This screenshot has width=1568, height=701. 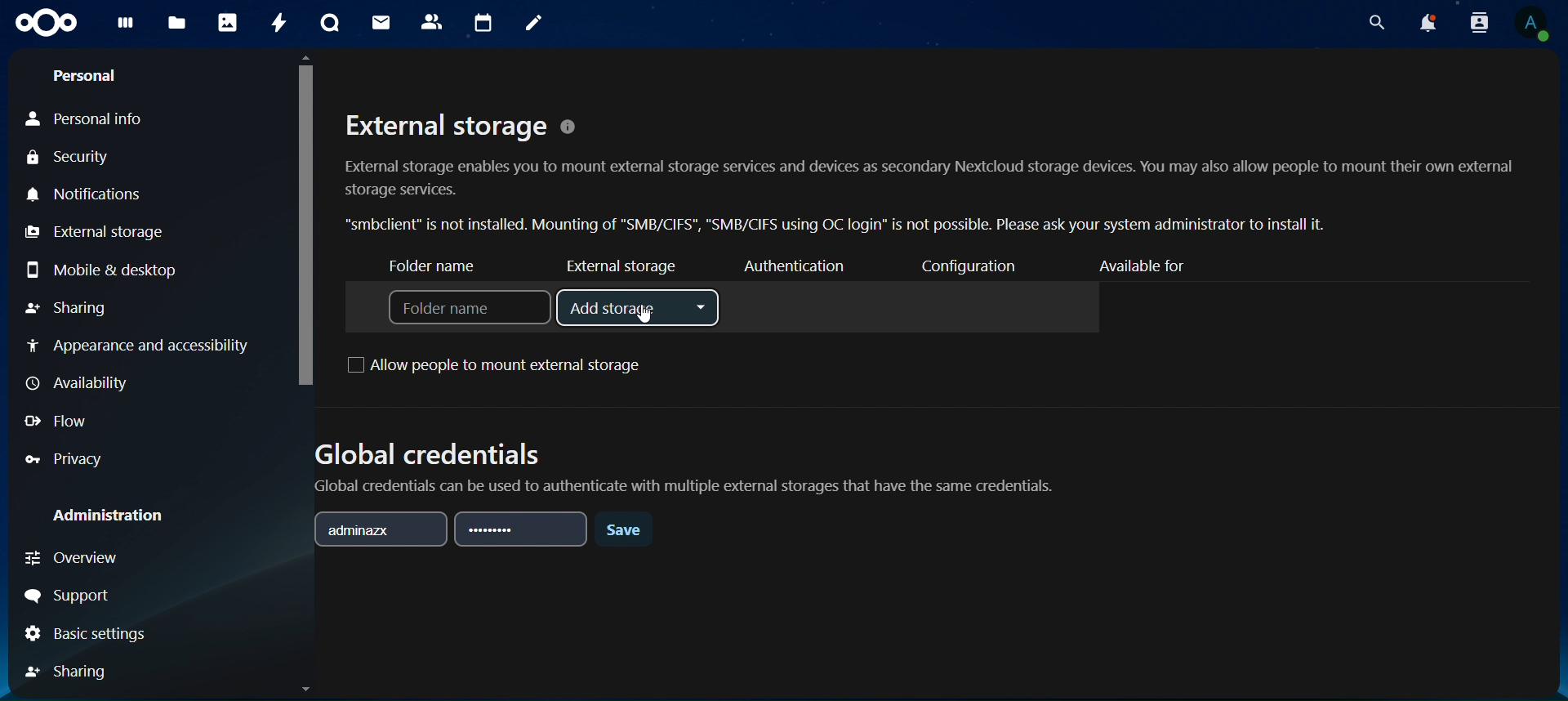 What do you see at coordinates (60, 422) in the screenshot?
I see `flow` at bounding box center [60, 422].